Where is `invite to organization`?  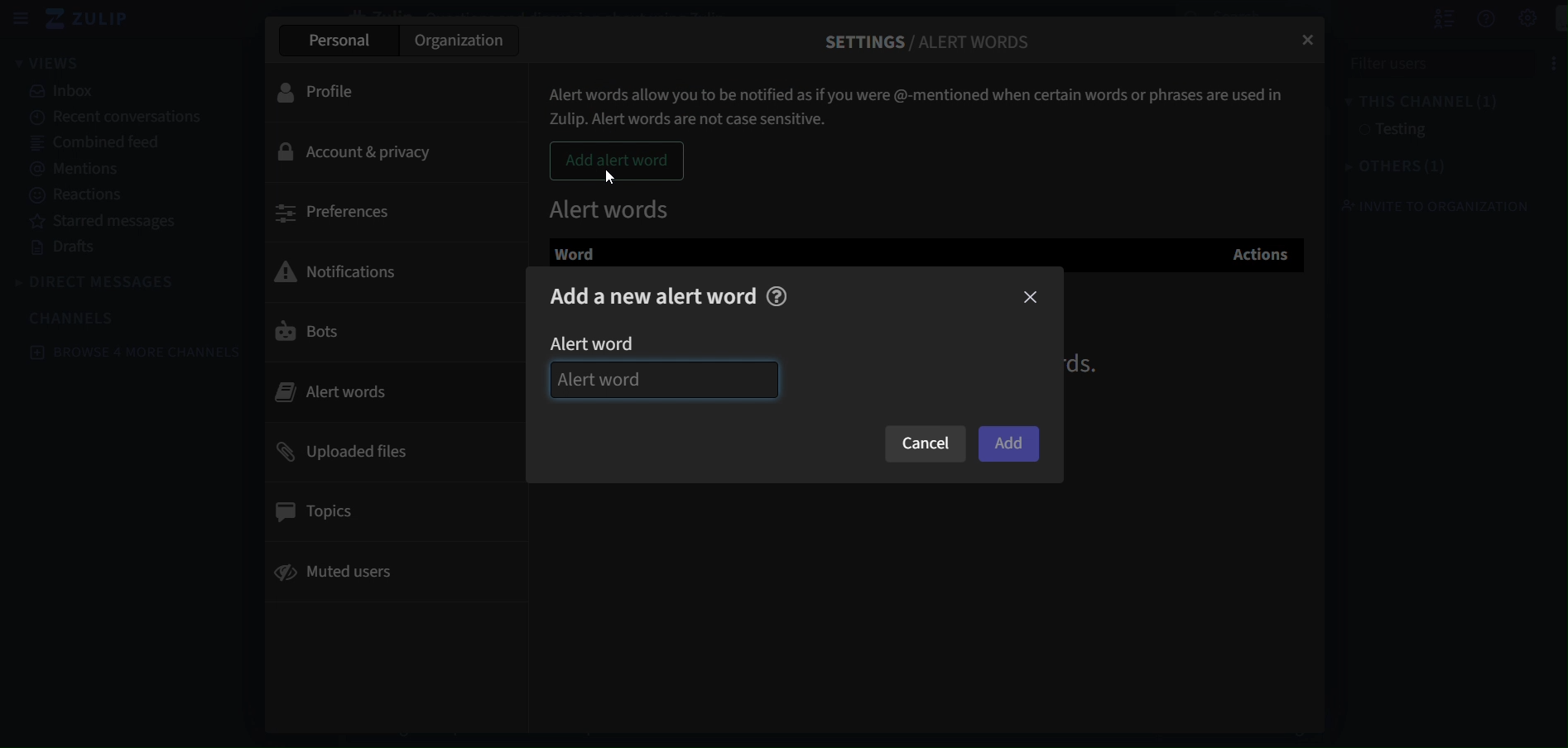
invite to organization is located at coordinates (1431, 207).